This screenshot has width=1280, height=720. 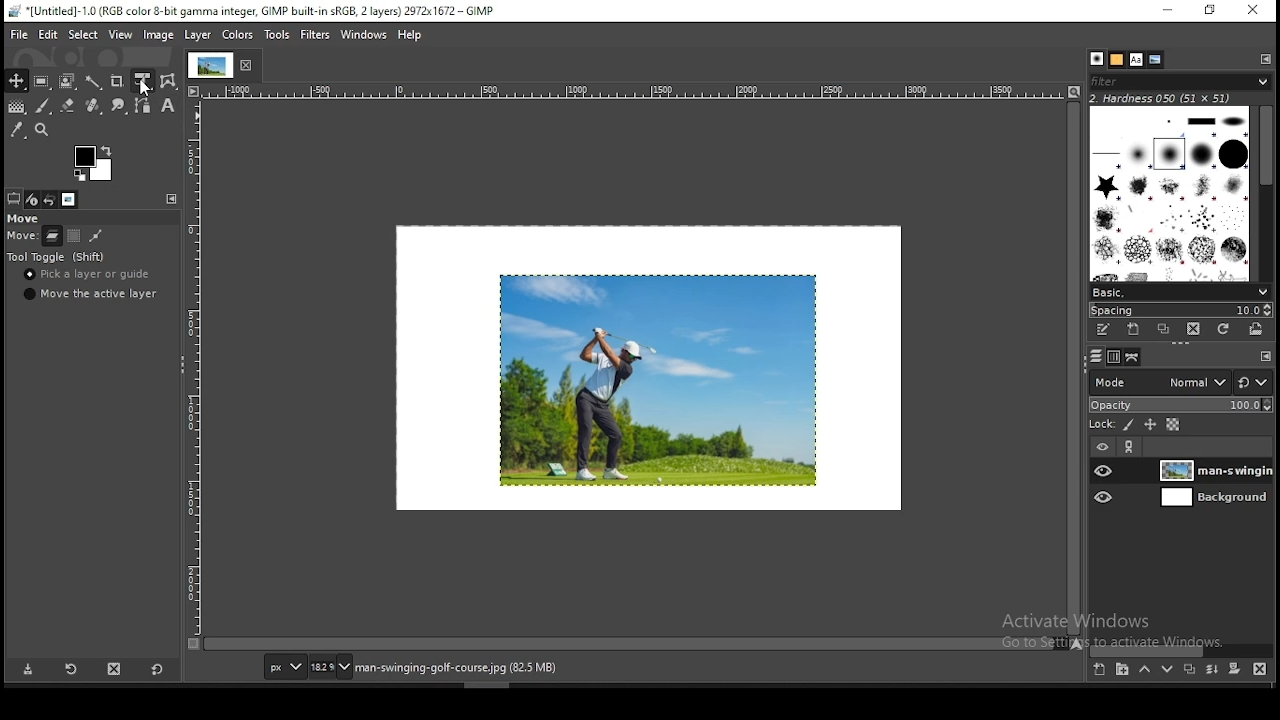 I want to click on brush tool, so click(x=44, y=105).